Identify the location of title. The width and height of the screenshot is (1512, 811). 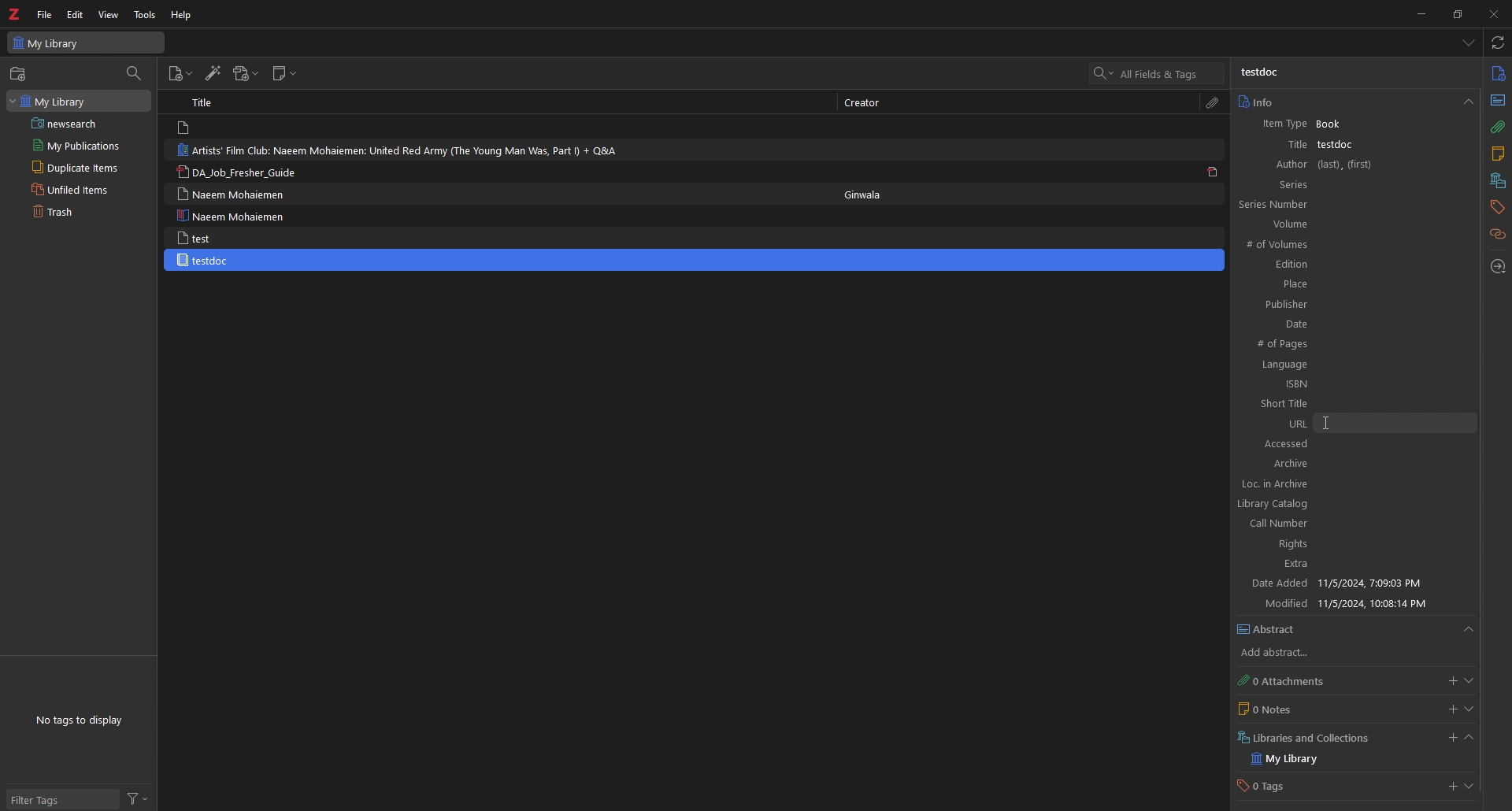
(1291, 145).